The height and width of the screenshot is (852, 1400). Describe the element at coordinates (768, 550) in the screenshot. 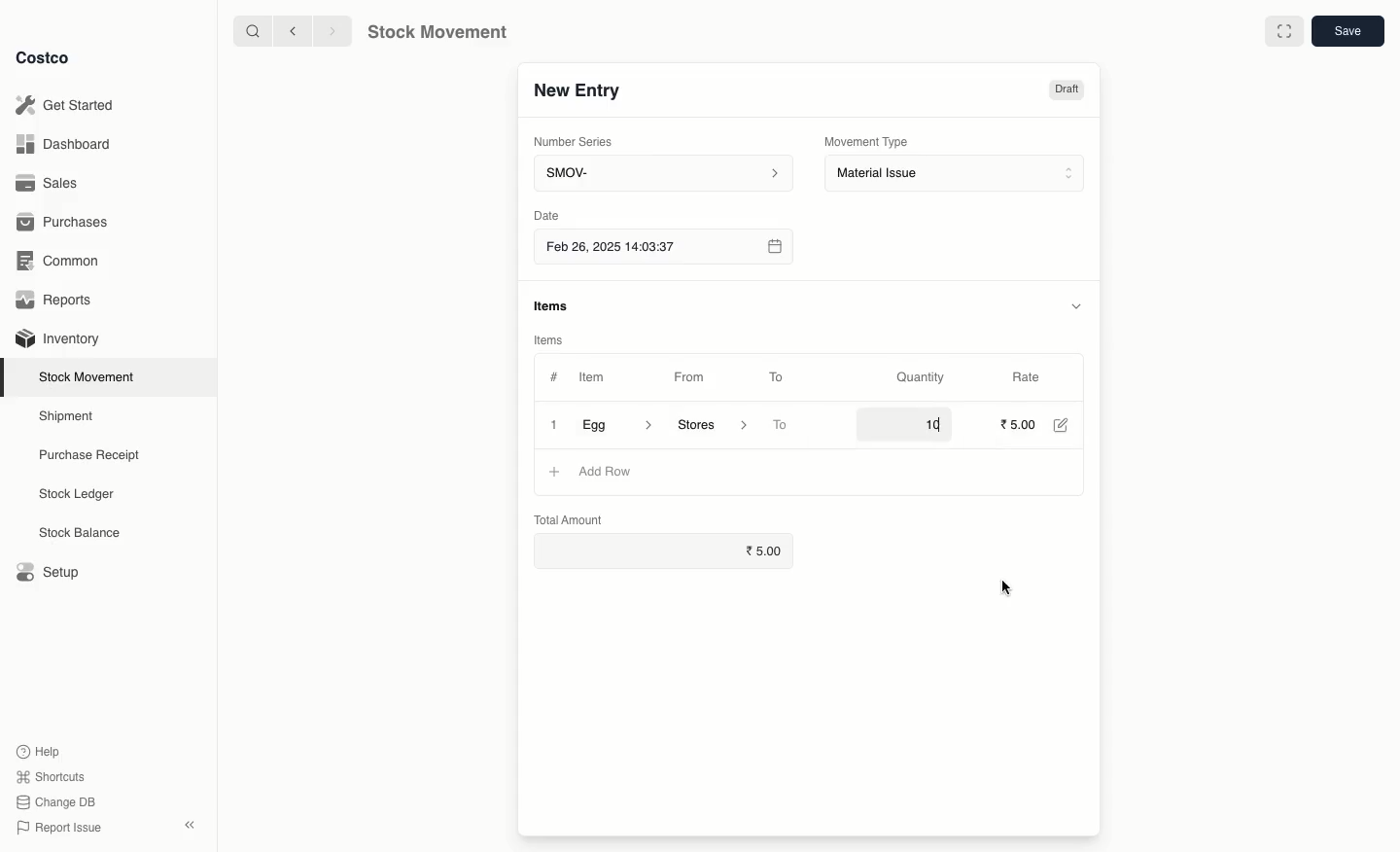

I see `5.00` at that location.